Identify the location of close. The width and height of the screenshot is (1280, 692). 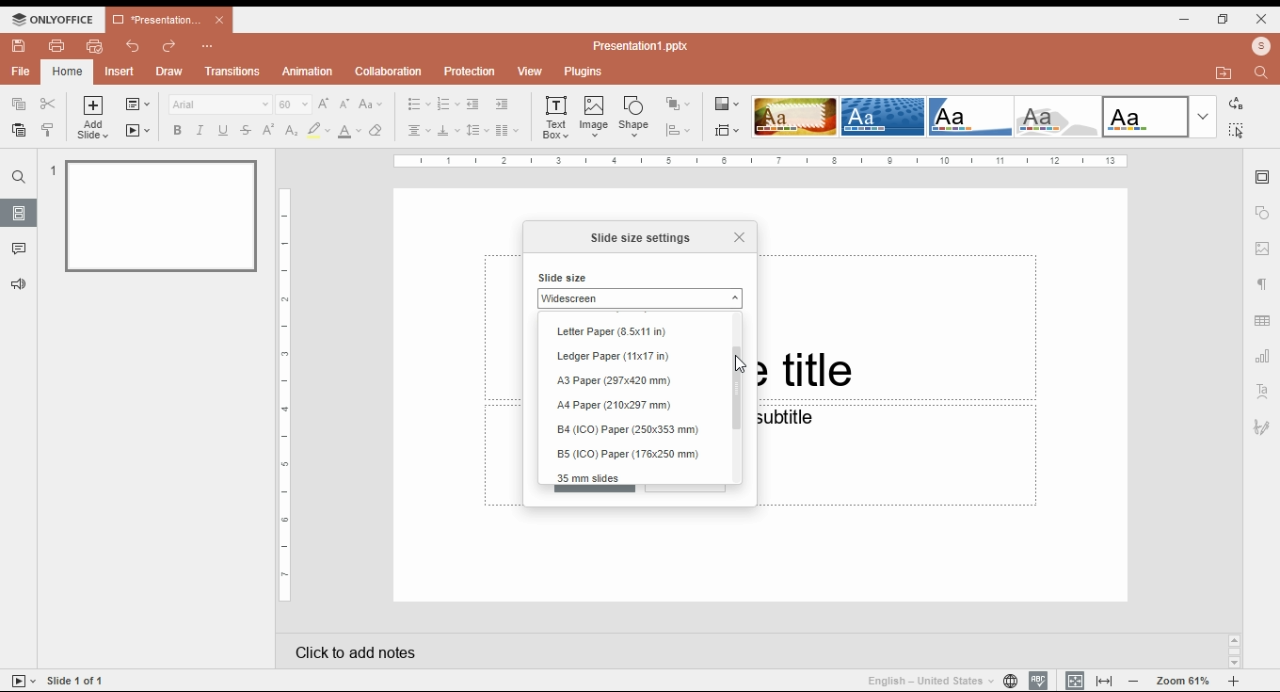
(1262, 18).